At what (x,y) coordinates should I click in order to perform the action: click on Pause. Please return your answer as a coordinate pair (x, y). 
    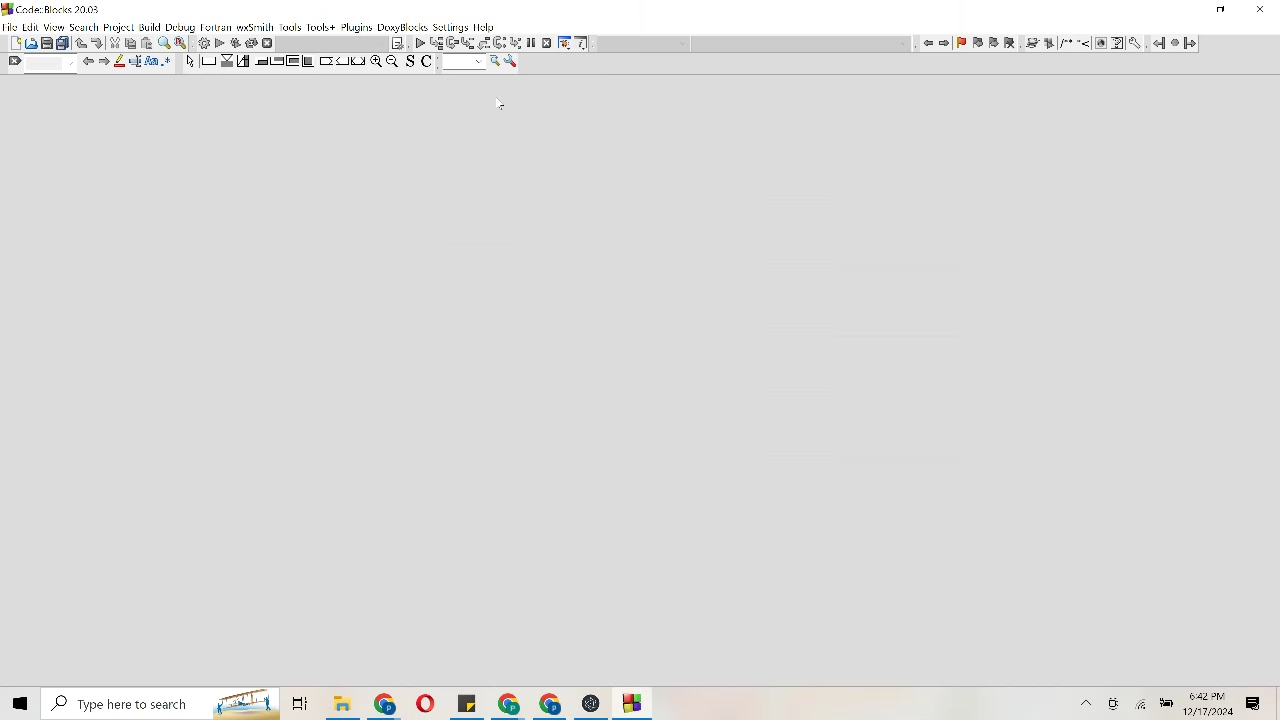
    Looking at the image, I should click on (530, 44).